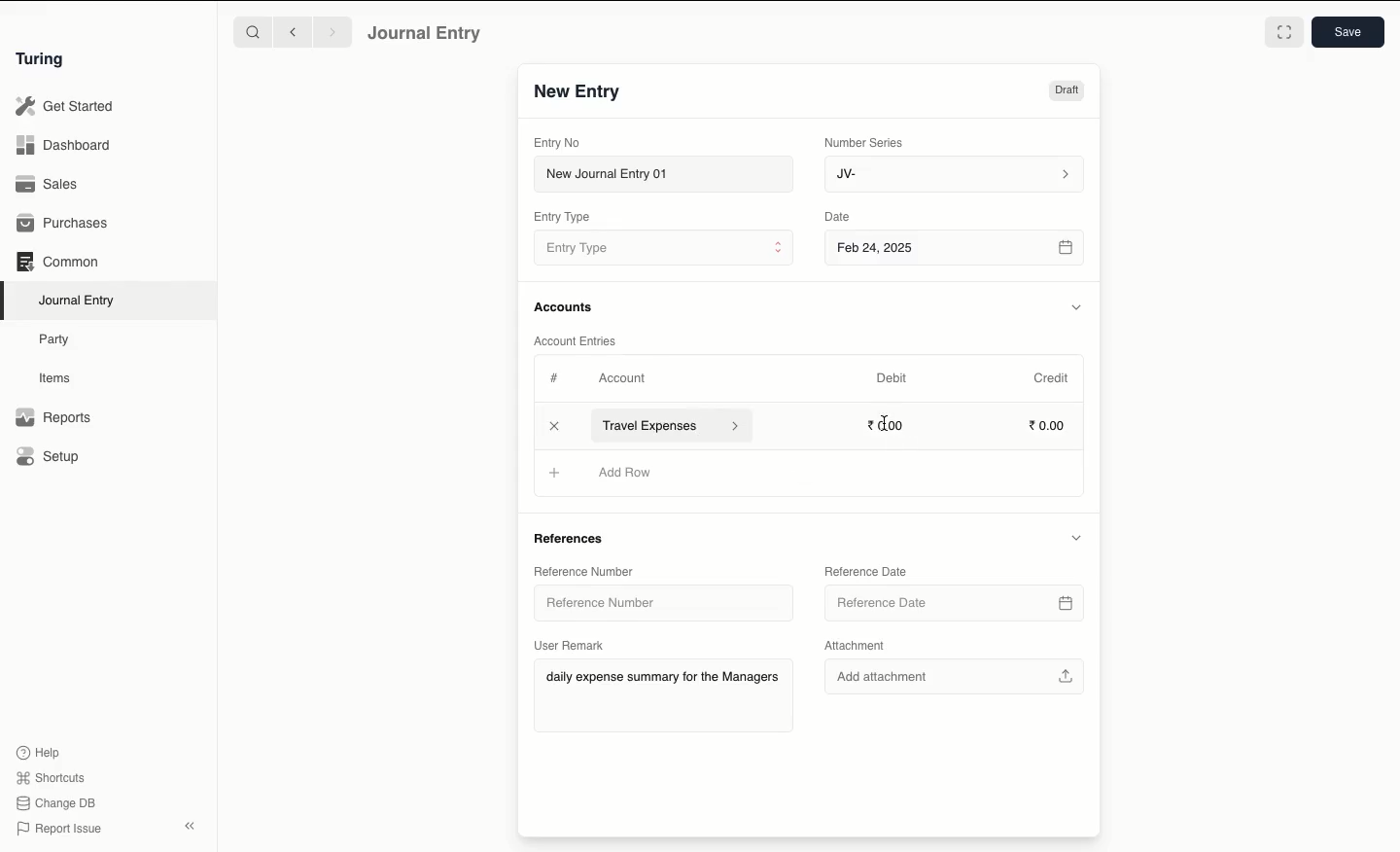 Image resolution: width=1400 pixels, height=852 pixels. I want to click on New Journal Entry 01, so click(662, 173).